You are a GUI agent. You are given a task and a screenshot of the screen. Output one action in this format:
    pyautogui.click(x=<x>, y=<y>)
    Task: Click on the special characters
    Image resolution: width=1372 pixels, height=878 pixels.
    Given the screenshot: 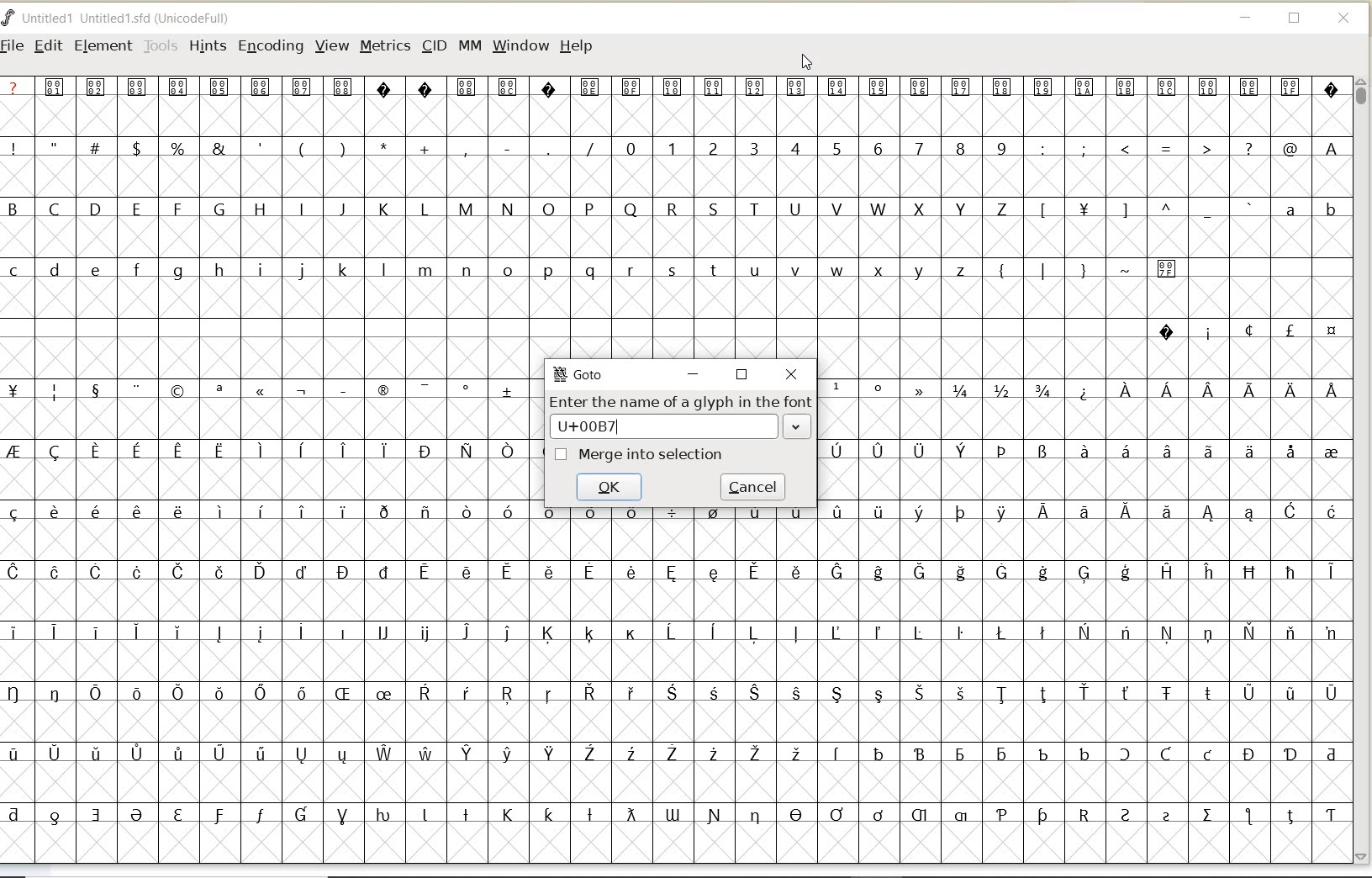 What is the action you would take?
    pyautogui.click(x=673, y=668)
    